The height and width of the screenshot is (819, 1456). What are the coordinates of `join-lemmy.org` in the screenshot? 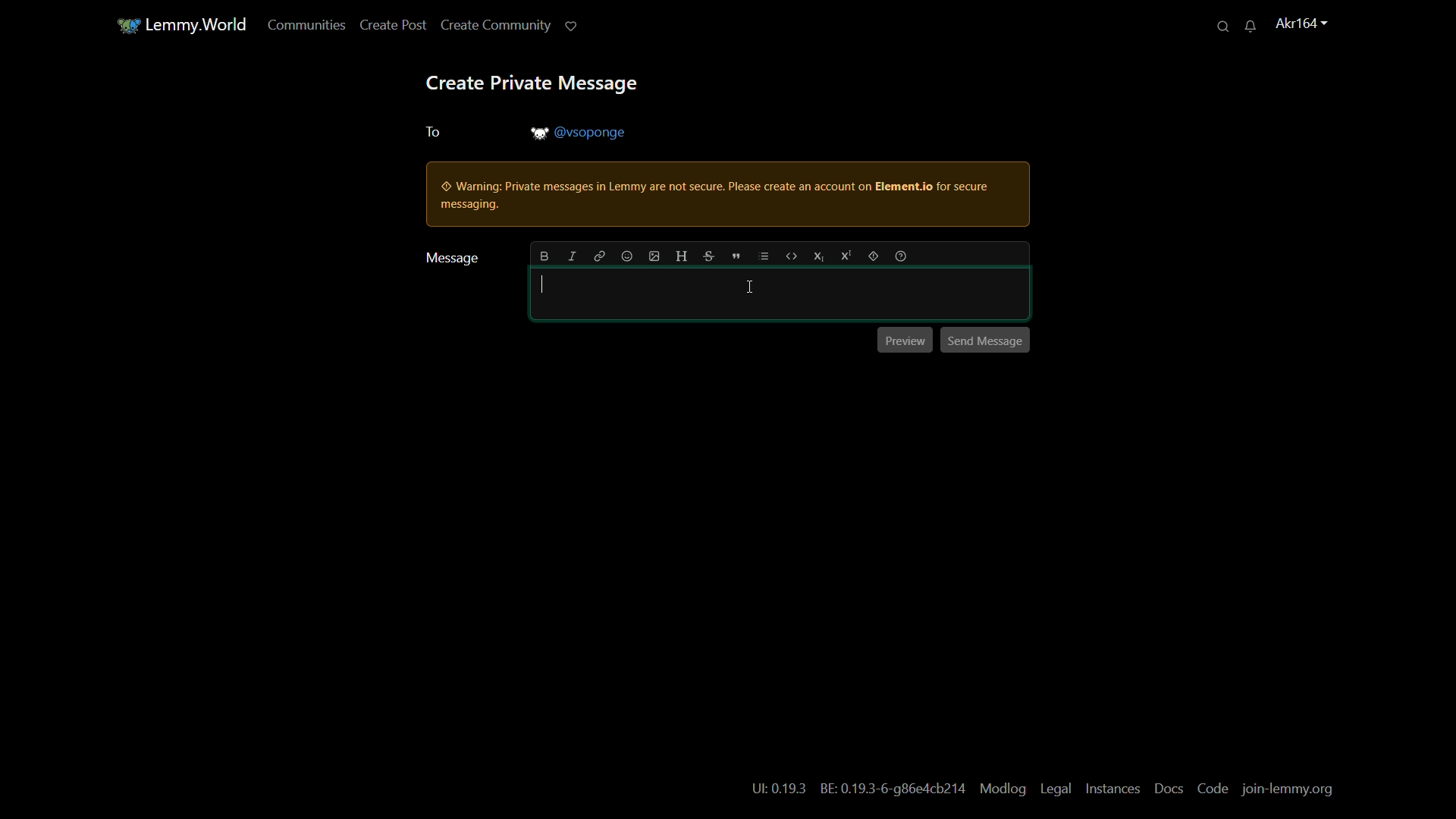 It's located at (1291, 792).